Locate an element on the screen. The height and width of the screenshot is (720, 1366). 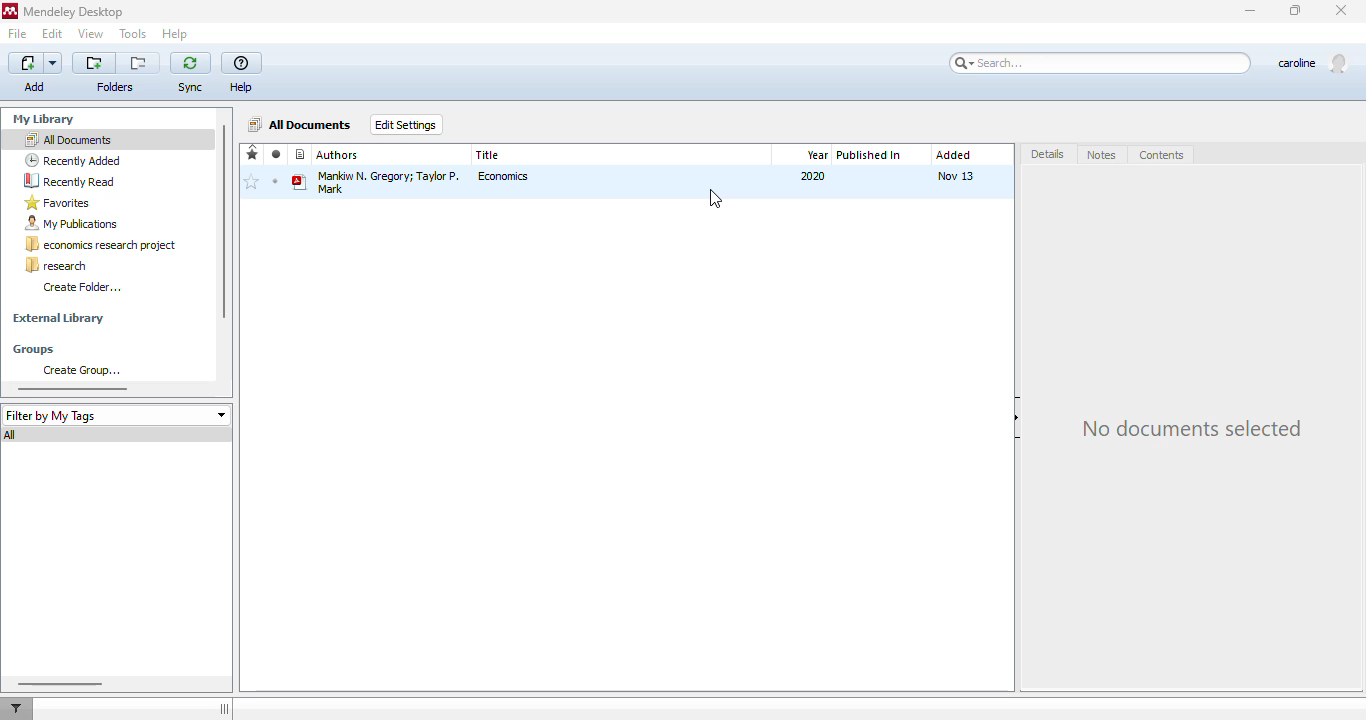
remove the current folder is located at coordinates (137, 64).